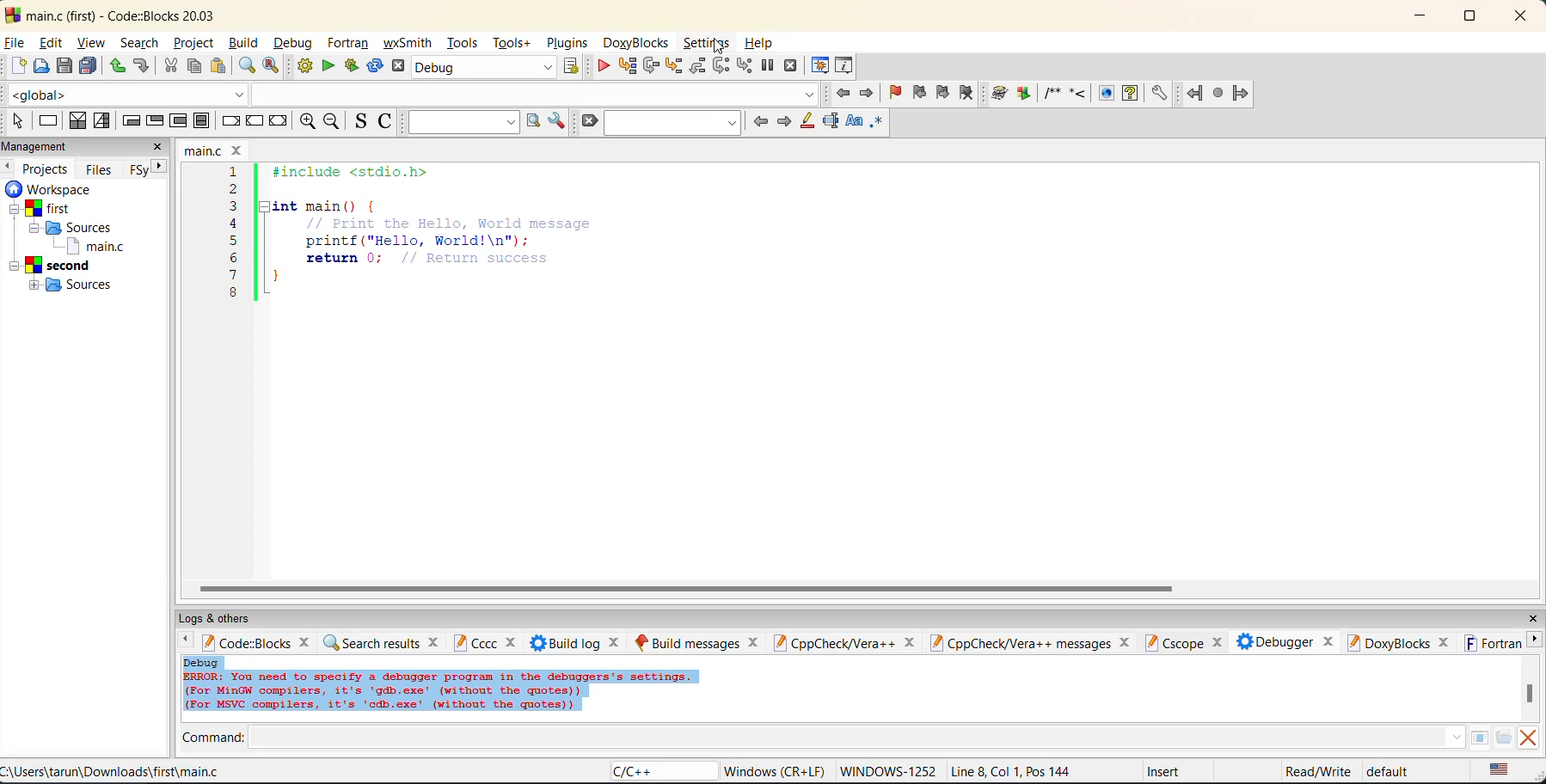 The height and width of the screenshot is (784, 1546). Describe the element at coordinates (845, 93) in the screenshot. I see `jump back` at that location.